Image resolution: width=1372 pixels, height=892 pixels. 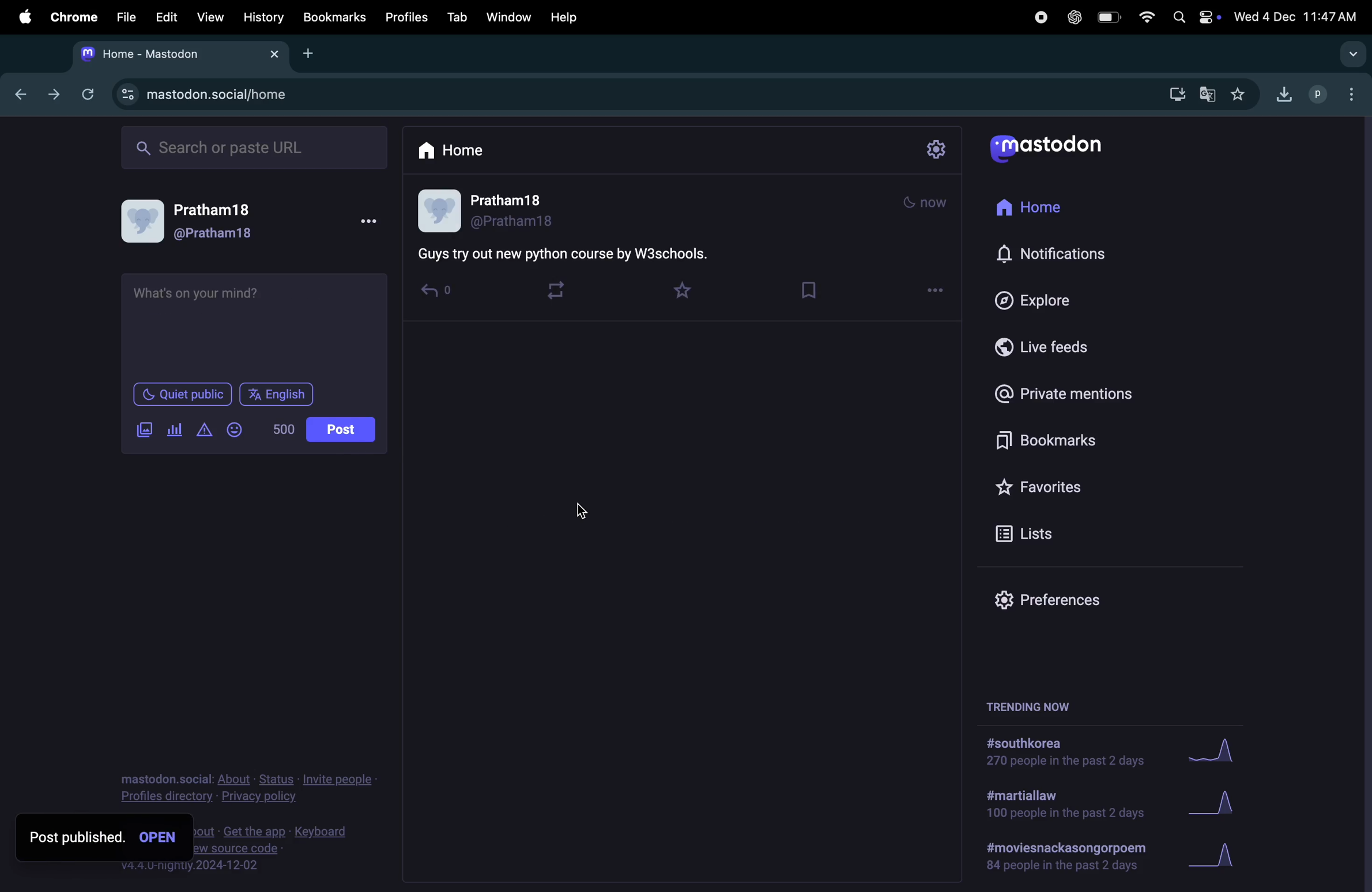 I want to click on options, so click(x=940, y=293).